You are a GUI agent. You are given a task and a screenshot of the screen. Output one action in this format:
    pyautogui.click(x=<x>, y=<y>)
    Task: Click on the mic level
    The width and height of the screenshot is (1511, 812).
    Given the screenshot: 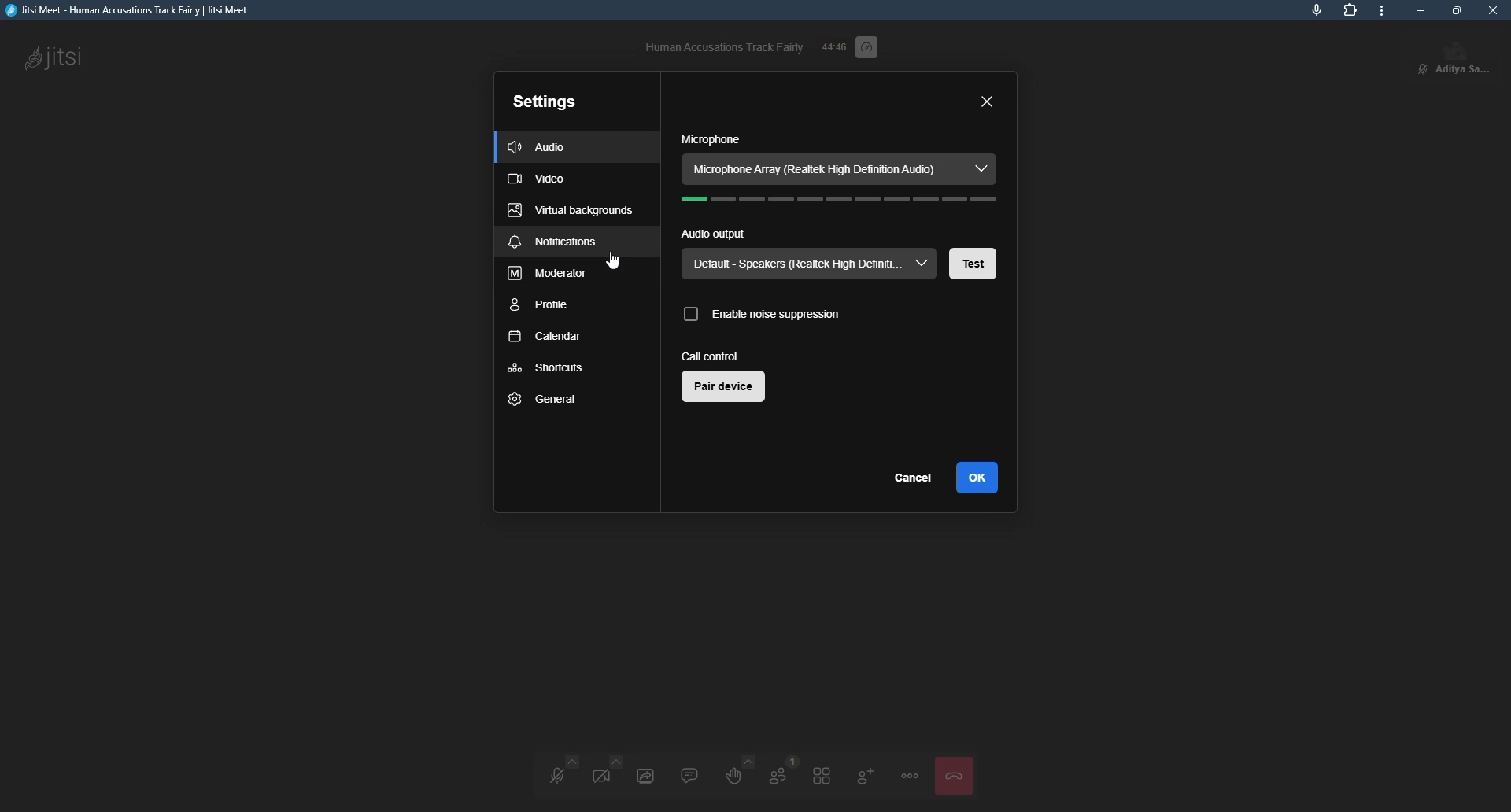 What is the action you would take?
    pyautogui.click(x=839, y=202)
    